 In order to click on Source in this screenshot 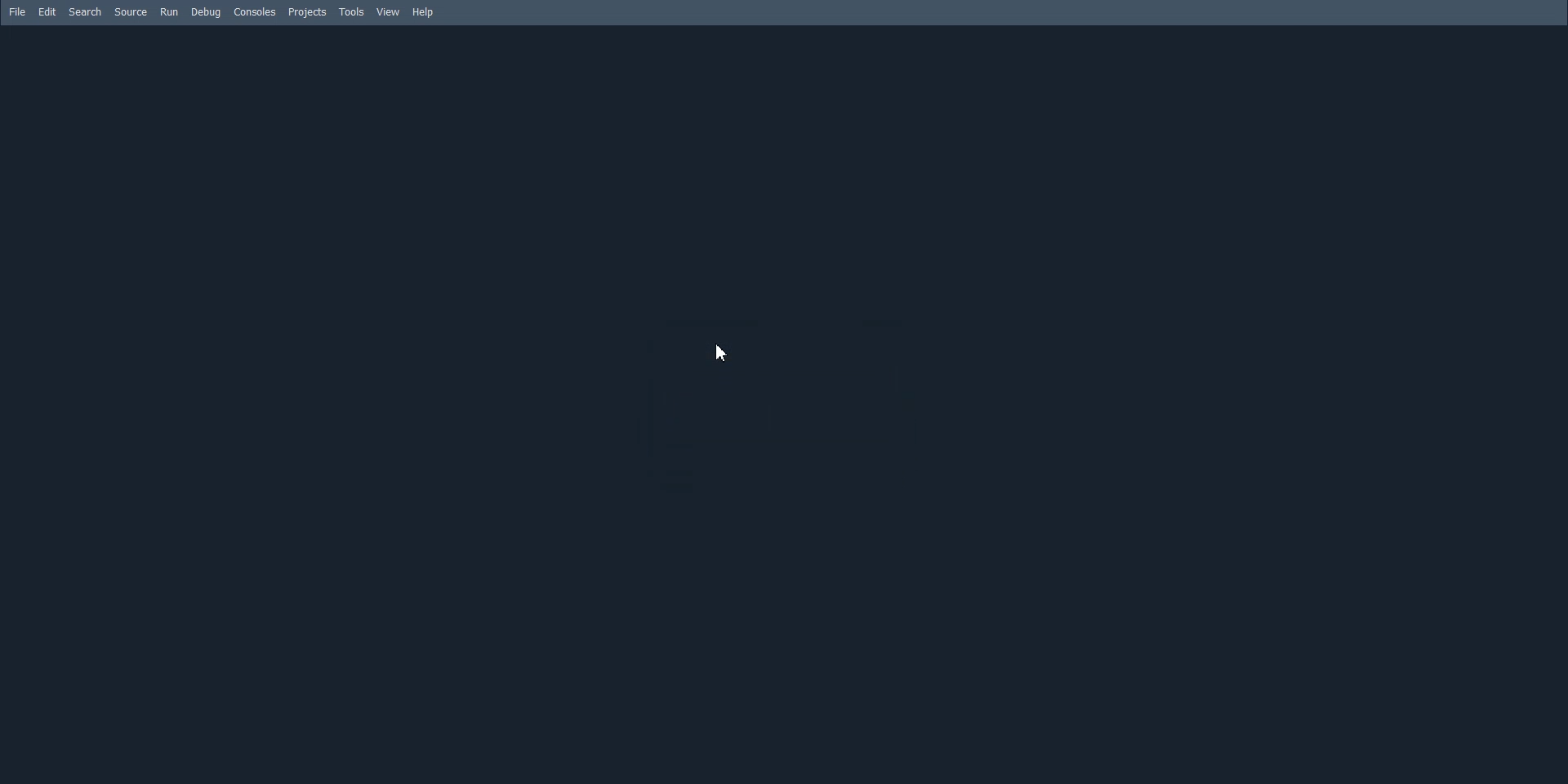, I will do `click(131, 11)`.